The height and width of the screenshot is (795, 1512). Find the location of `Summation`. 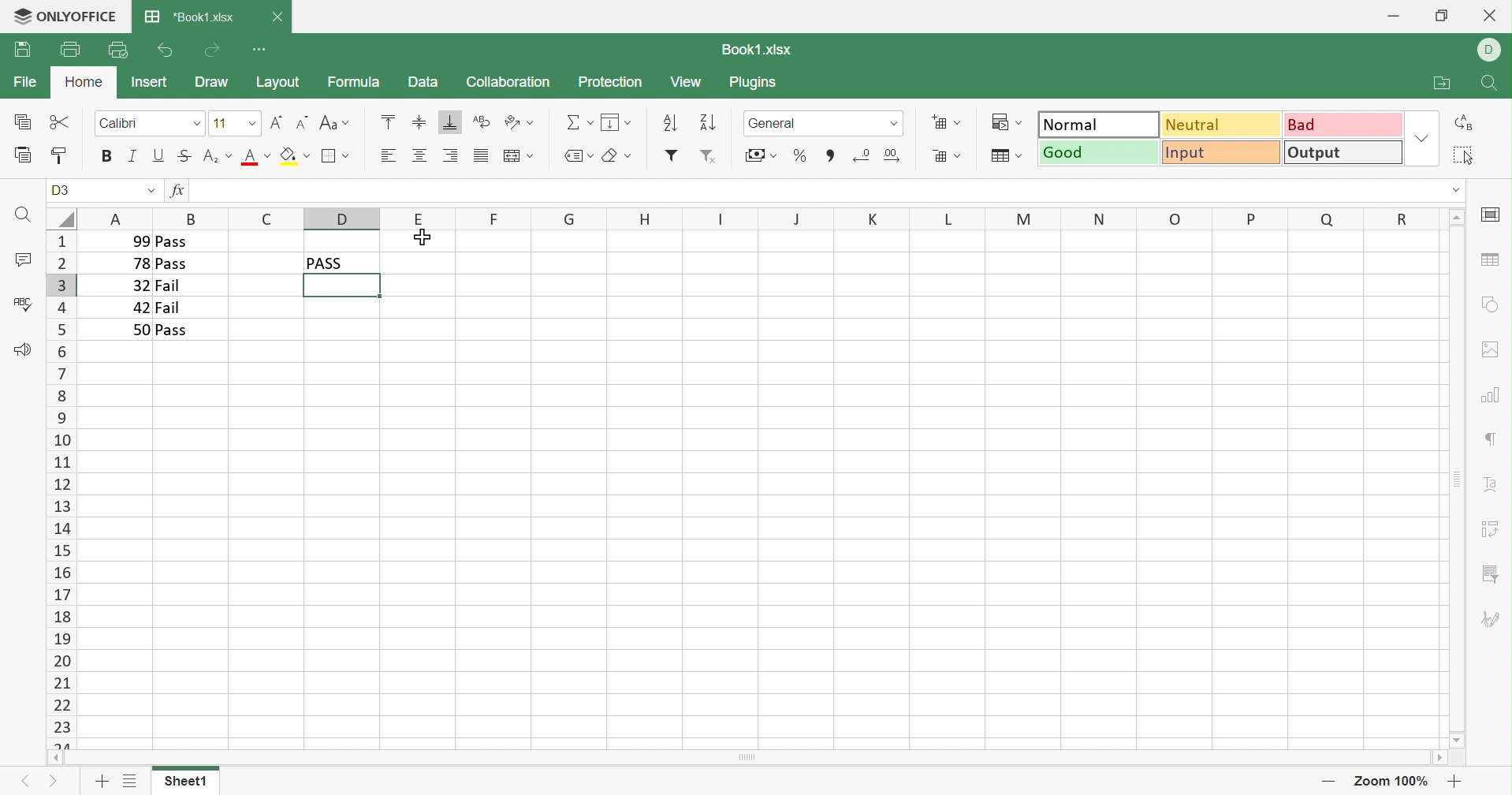

Summation is located at coordinates (579, 123).